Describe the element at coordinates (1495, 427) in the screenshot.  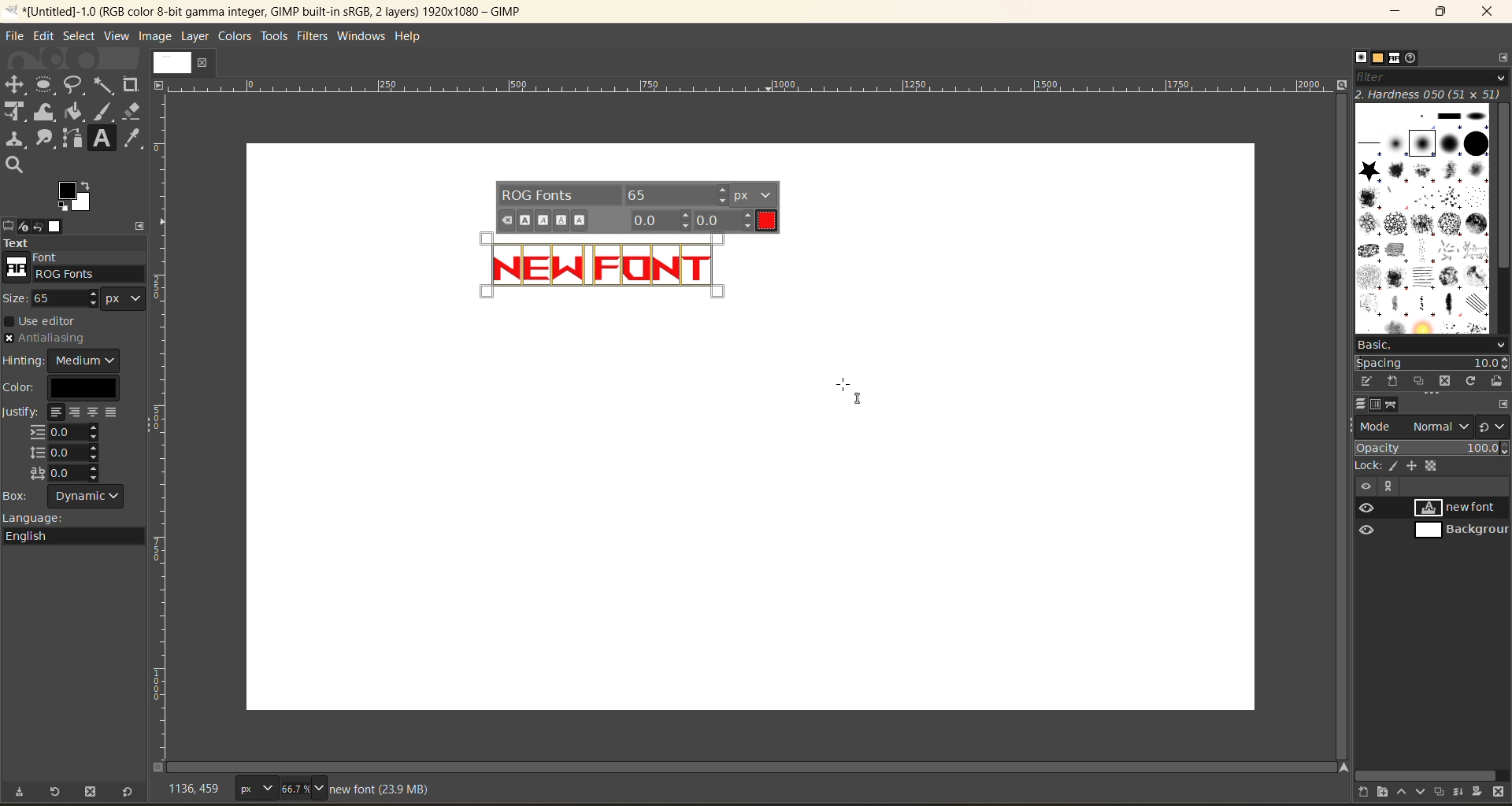
I see `switch to another group of modes` at that location.